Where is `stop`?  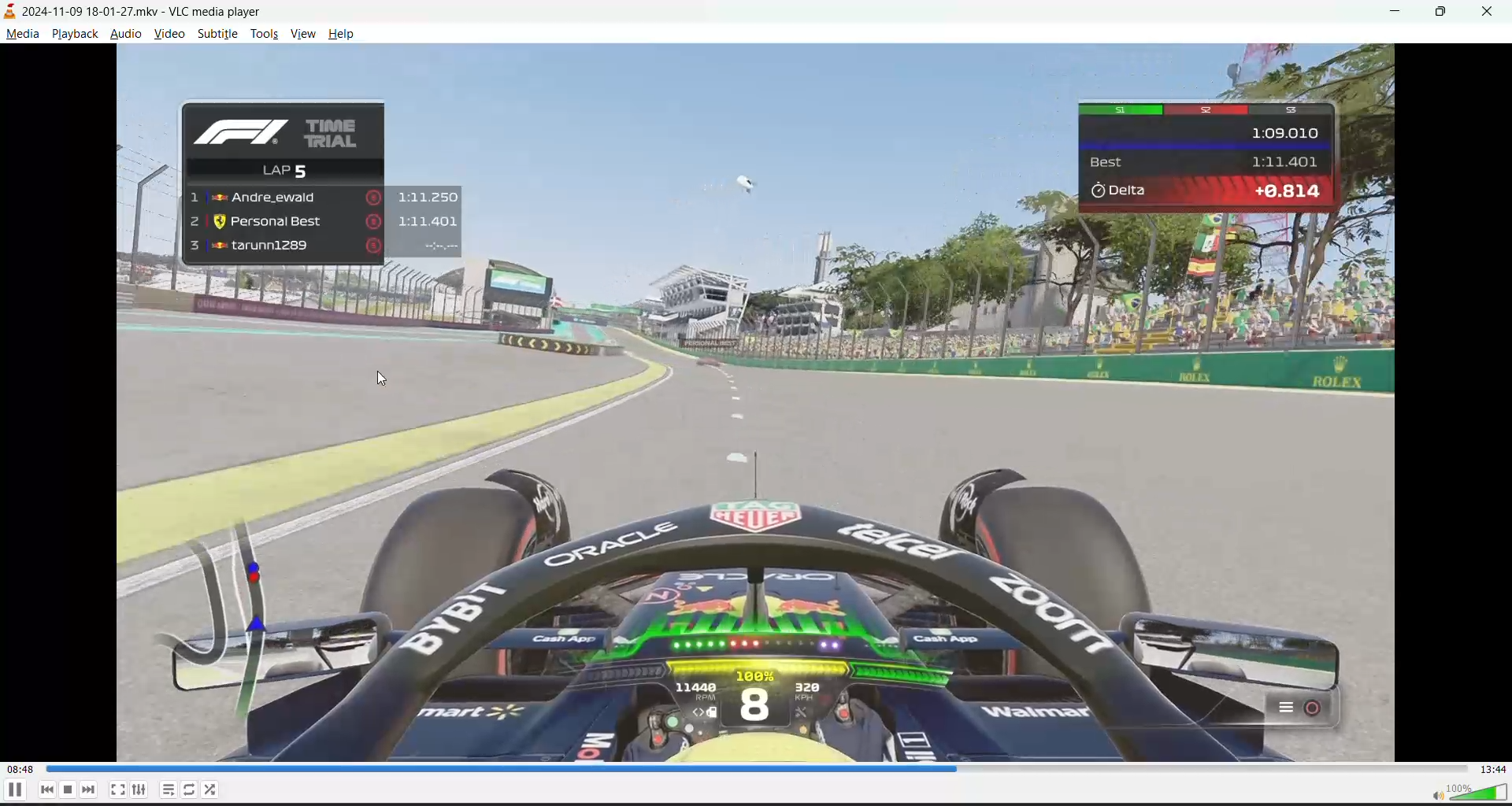
stop is located at coordinates (67, 789).